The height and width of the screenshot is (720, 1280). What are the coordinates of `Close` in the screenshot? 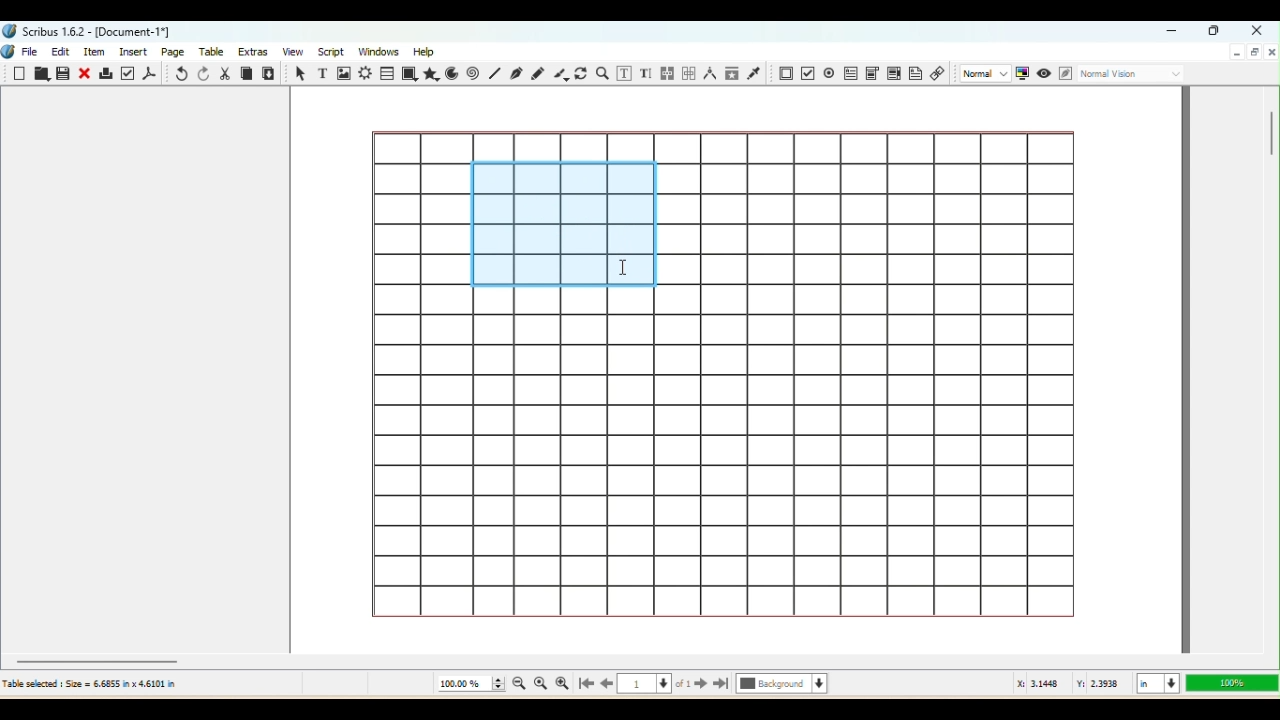 It's located at (86, 73).